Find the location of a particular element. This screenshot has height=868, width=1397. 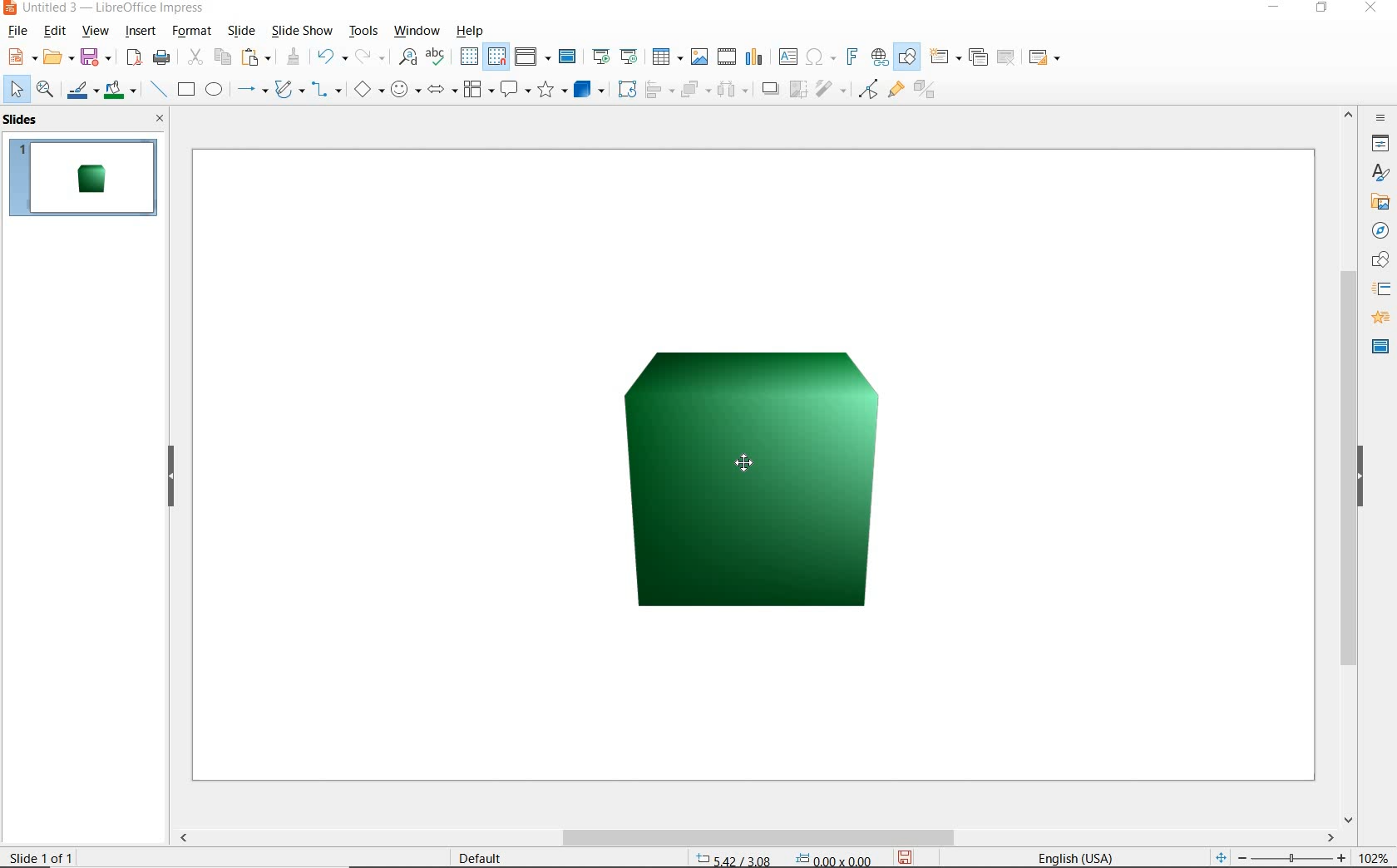

paste is located at coordinates (257, 57).